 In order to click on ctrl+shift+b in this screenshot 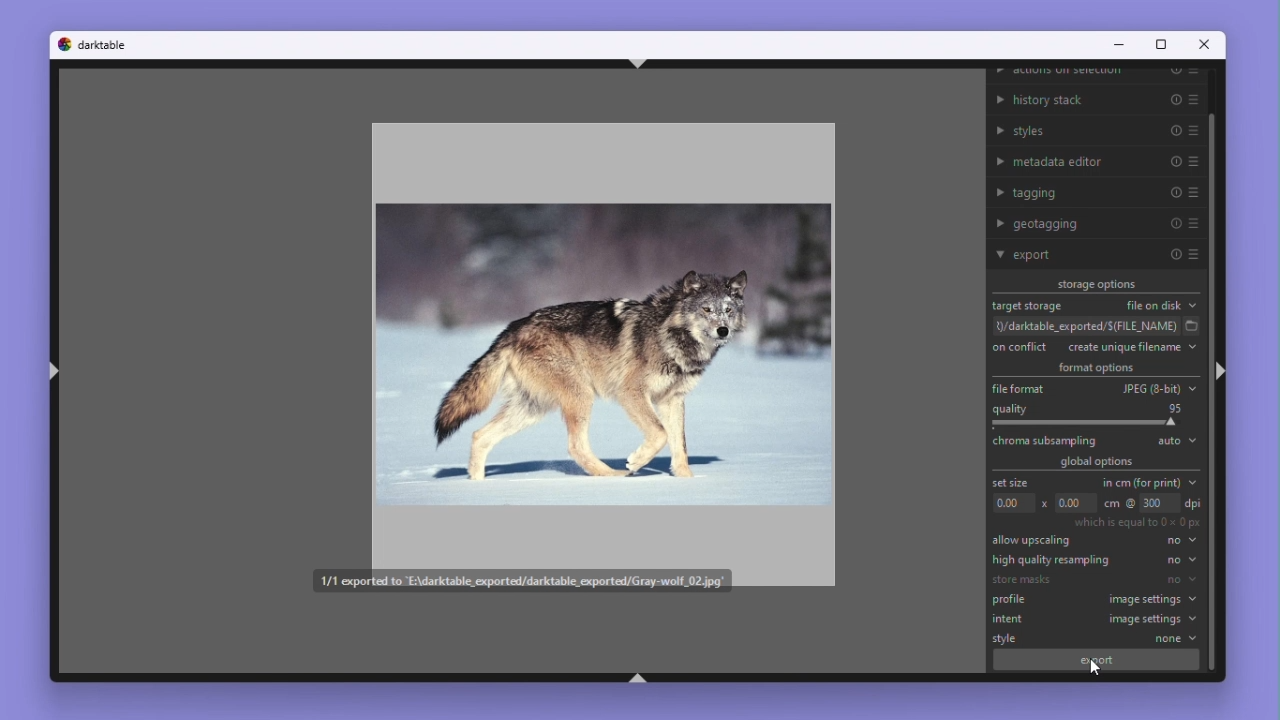, I will do `click(635, 678)`.